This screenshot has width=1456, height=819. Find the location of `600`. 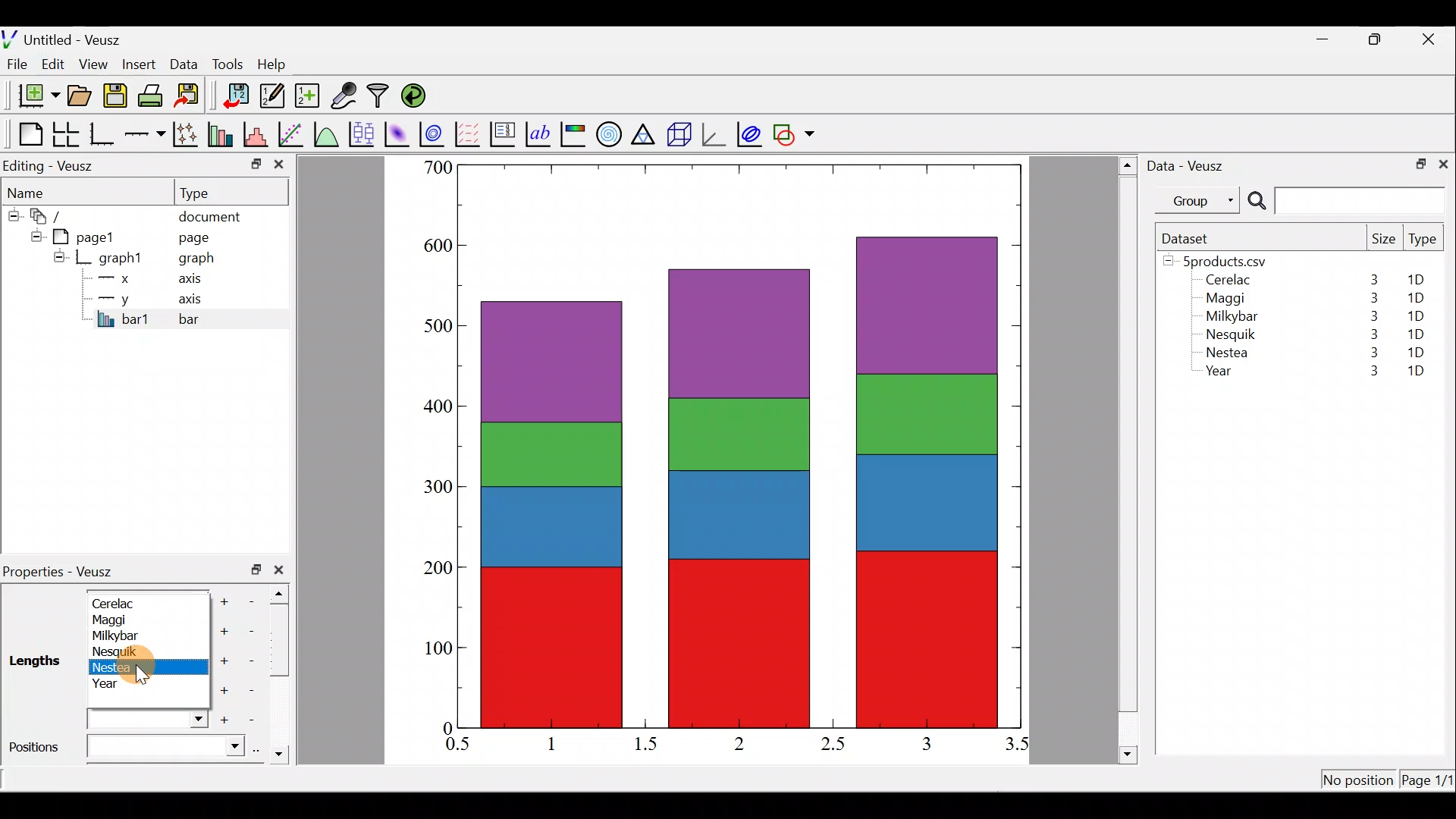

600 is located at coordinates (435, 242).